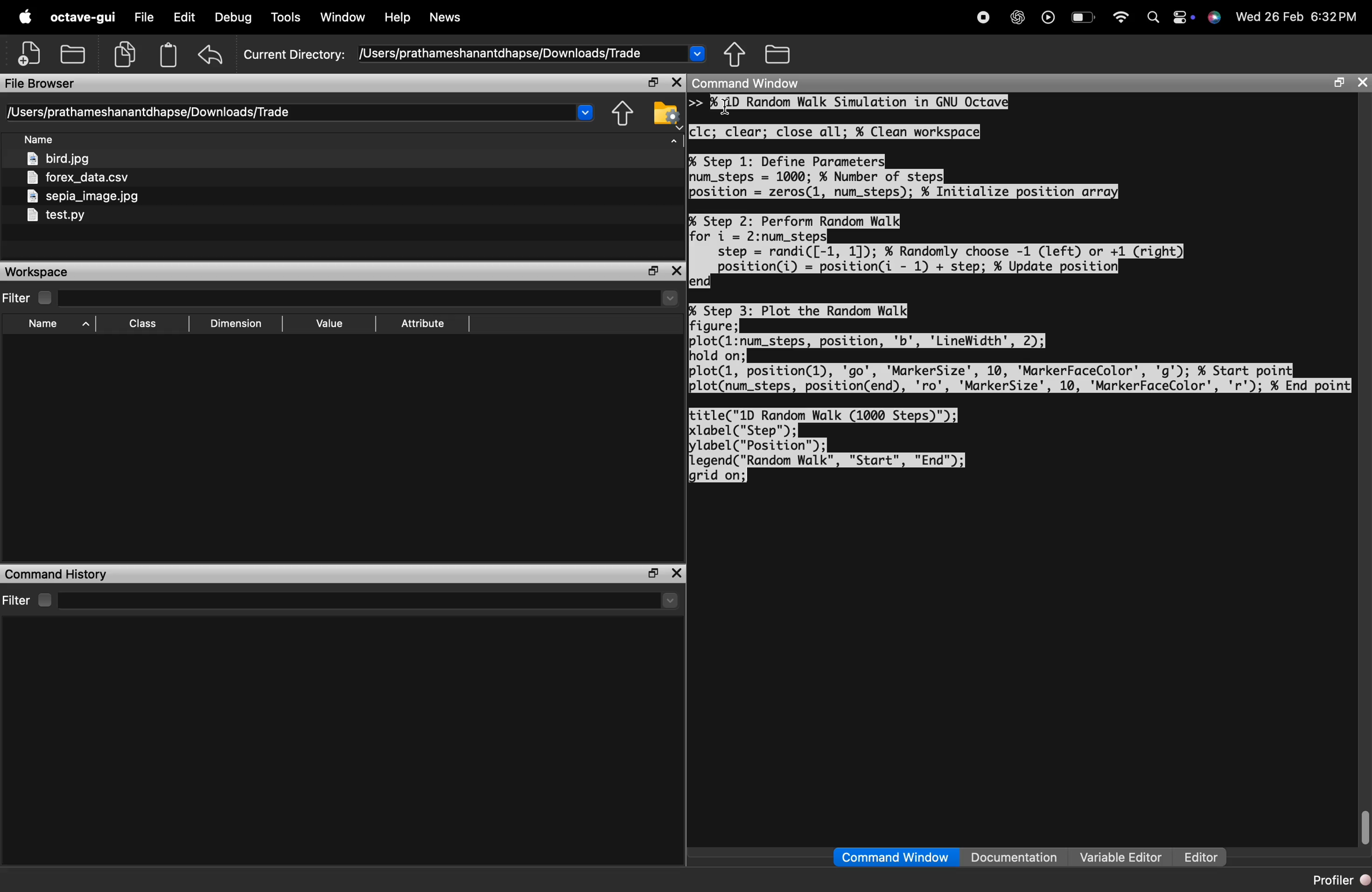 The height and width of the screenshot is (892, 1372). I want to click on filter, so click(32, 298).